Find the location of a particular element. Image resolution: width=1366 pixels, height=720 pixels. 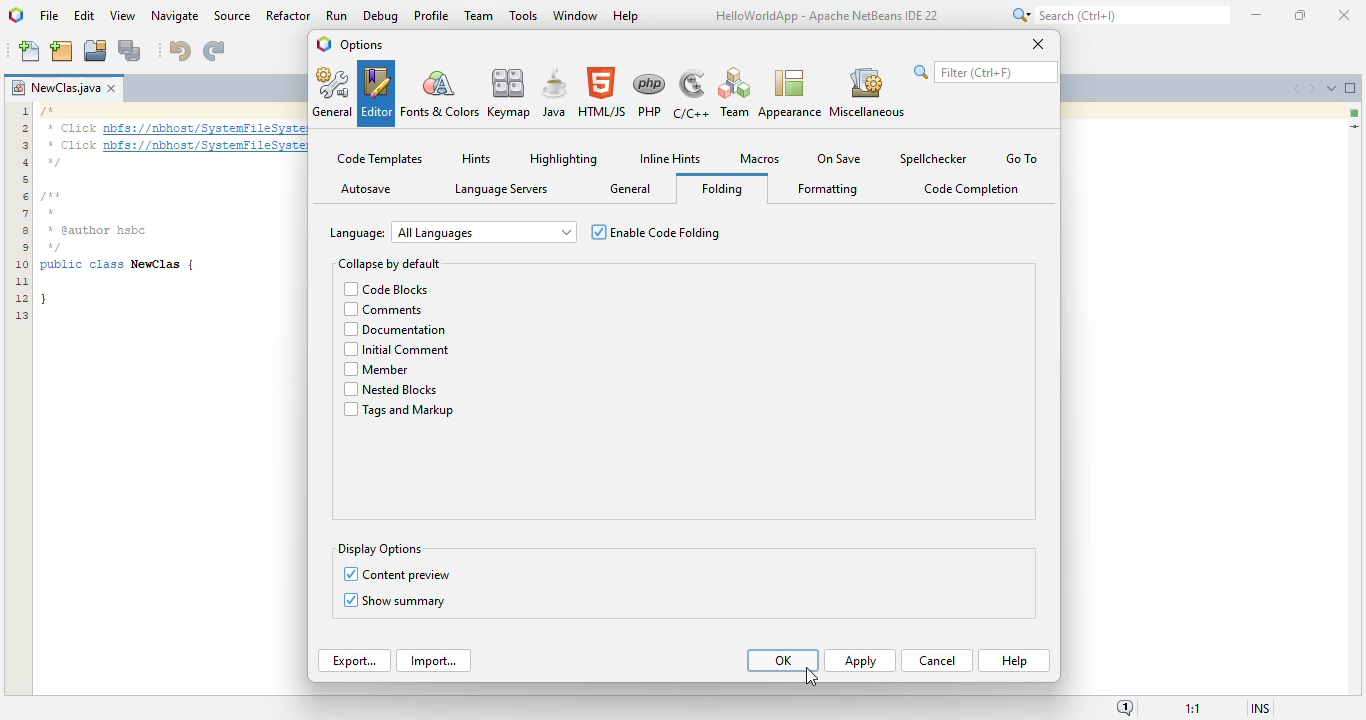

close is located at coordinates (1039, 44).